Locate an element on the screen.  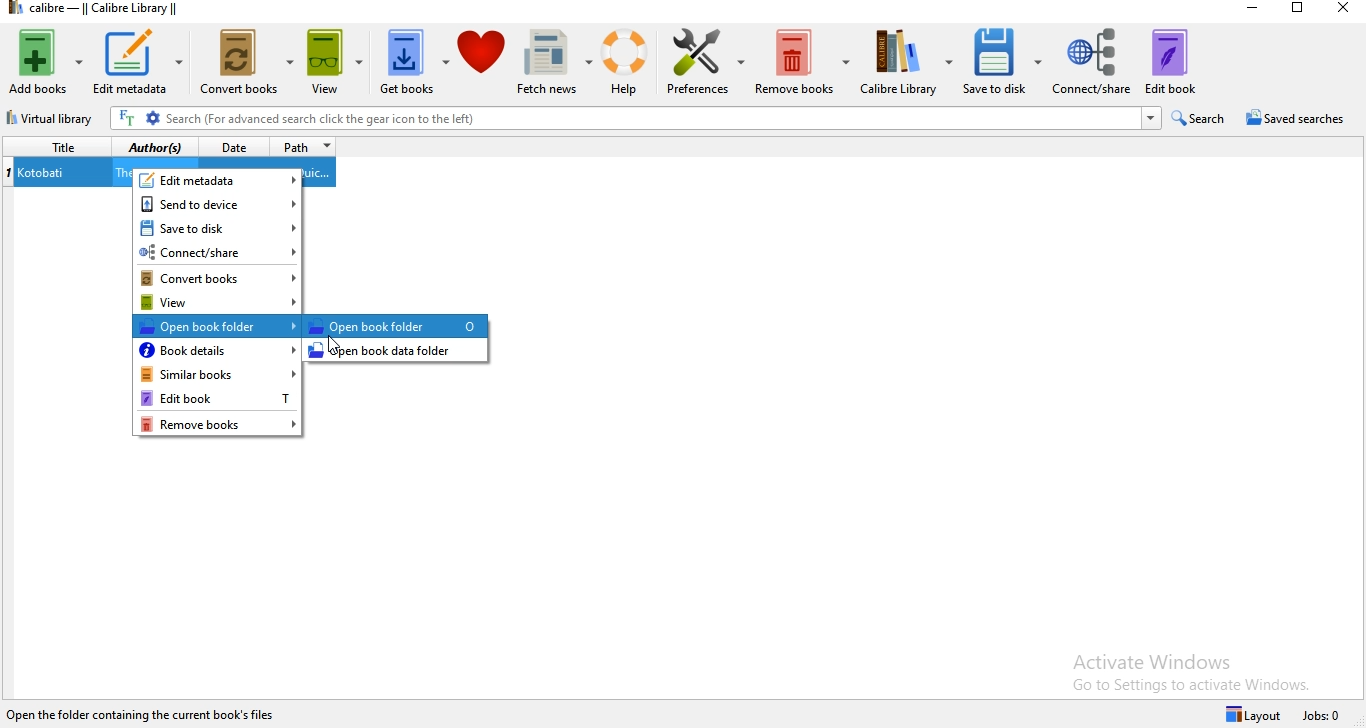
calibre library is located at coordinates (904, 65).